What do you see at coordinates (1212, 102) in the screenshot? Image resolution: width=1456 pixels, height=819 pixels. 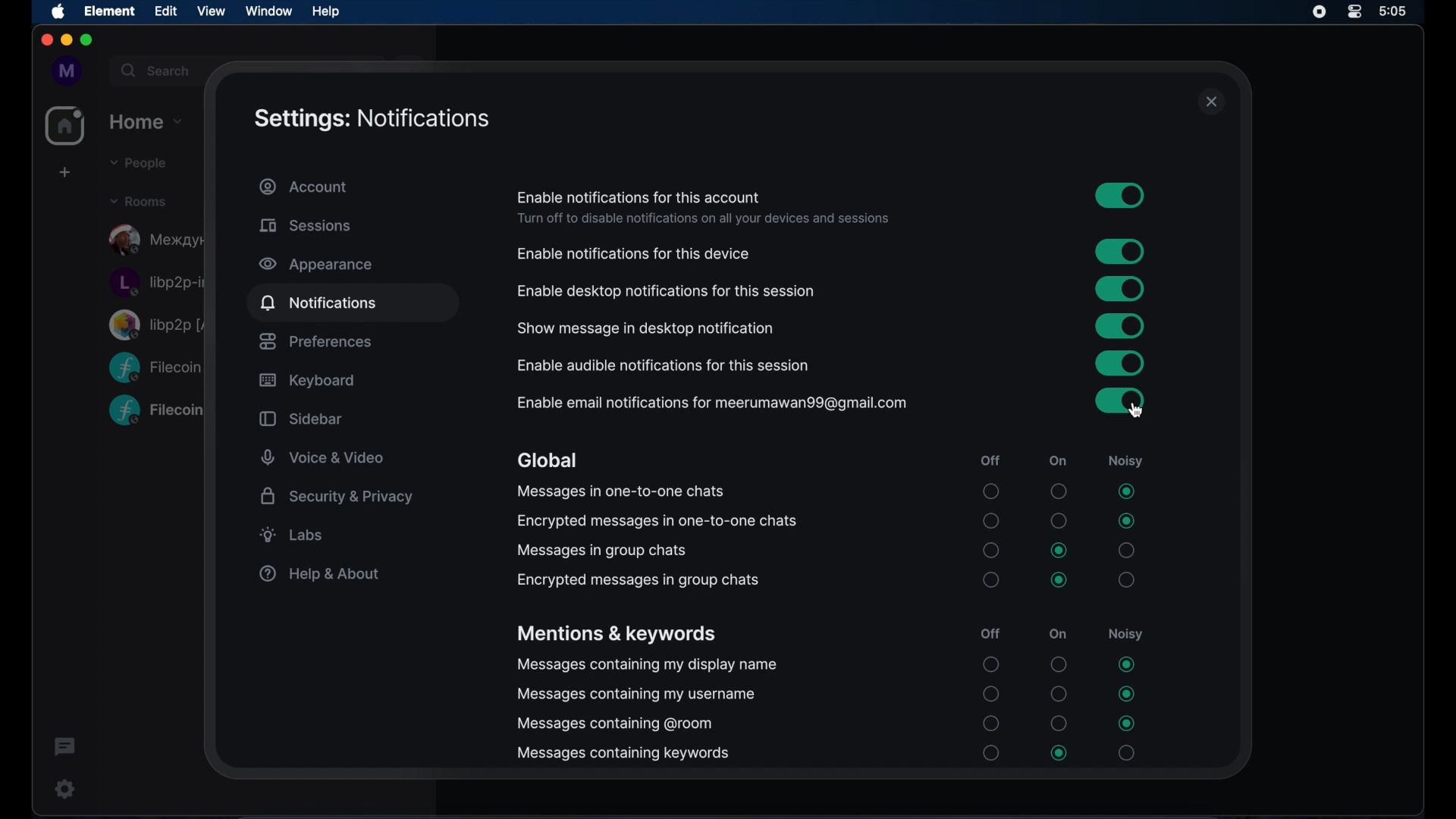 I see `close` at bounding box center [1212, 102].